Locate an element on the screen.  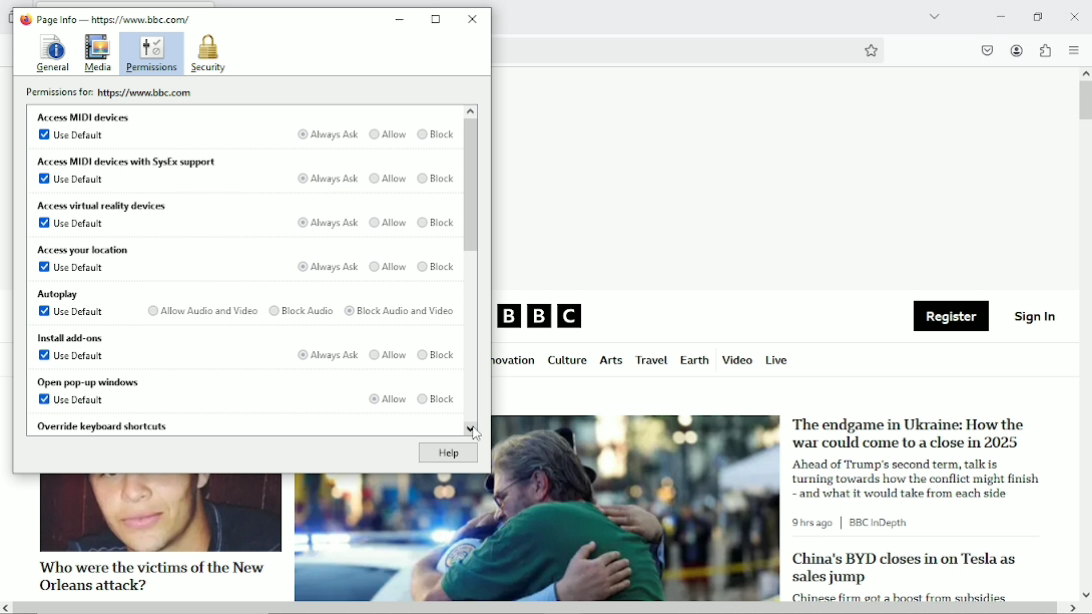
Access your location is located at coordinates (85, 249).